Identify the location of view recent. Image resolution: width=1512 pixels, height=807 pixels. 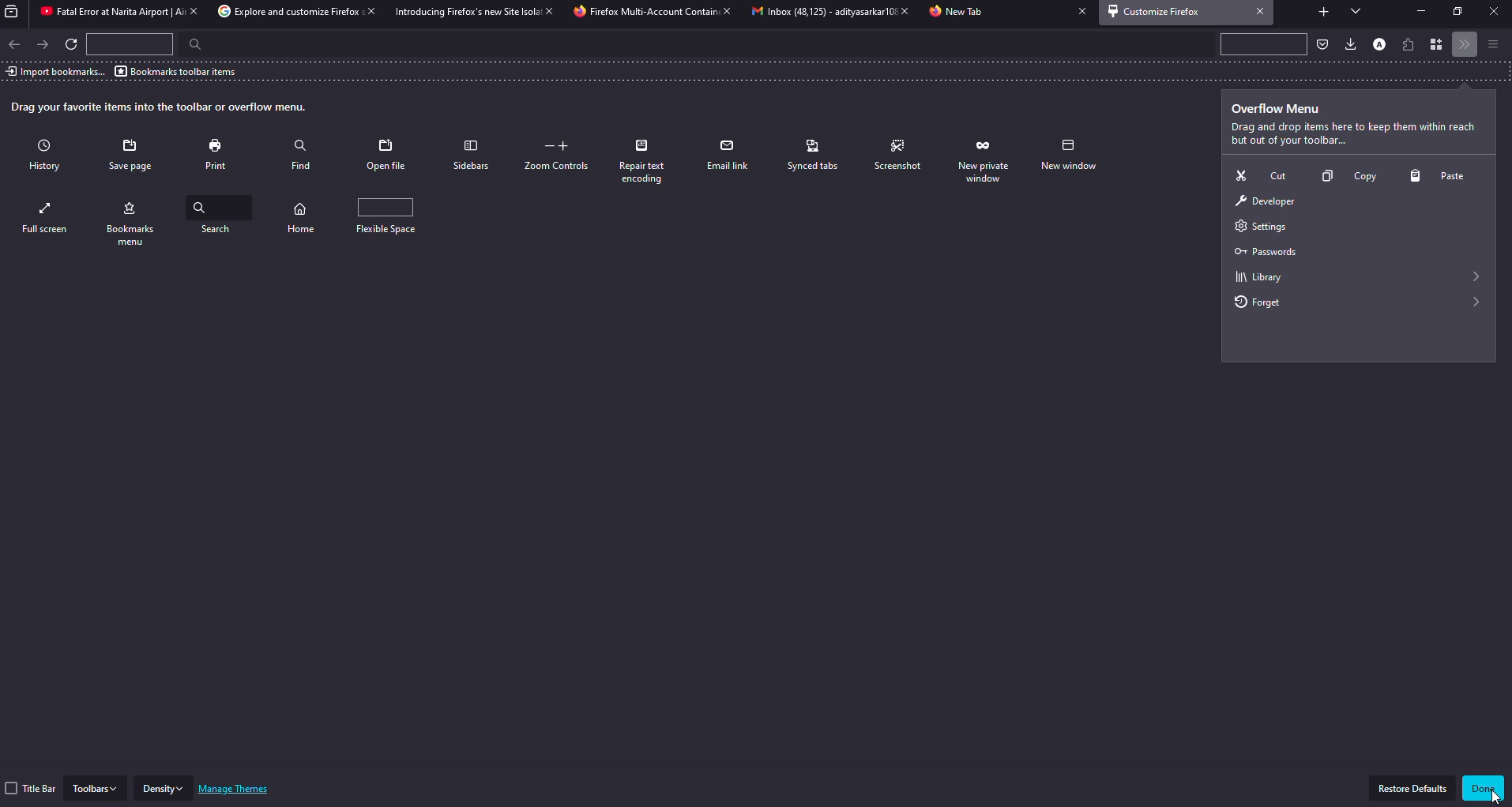
(14, 12).